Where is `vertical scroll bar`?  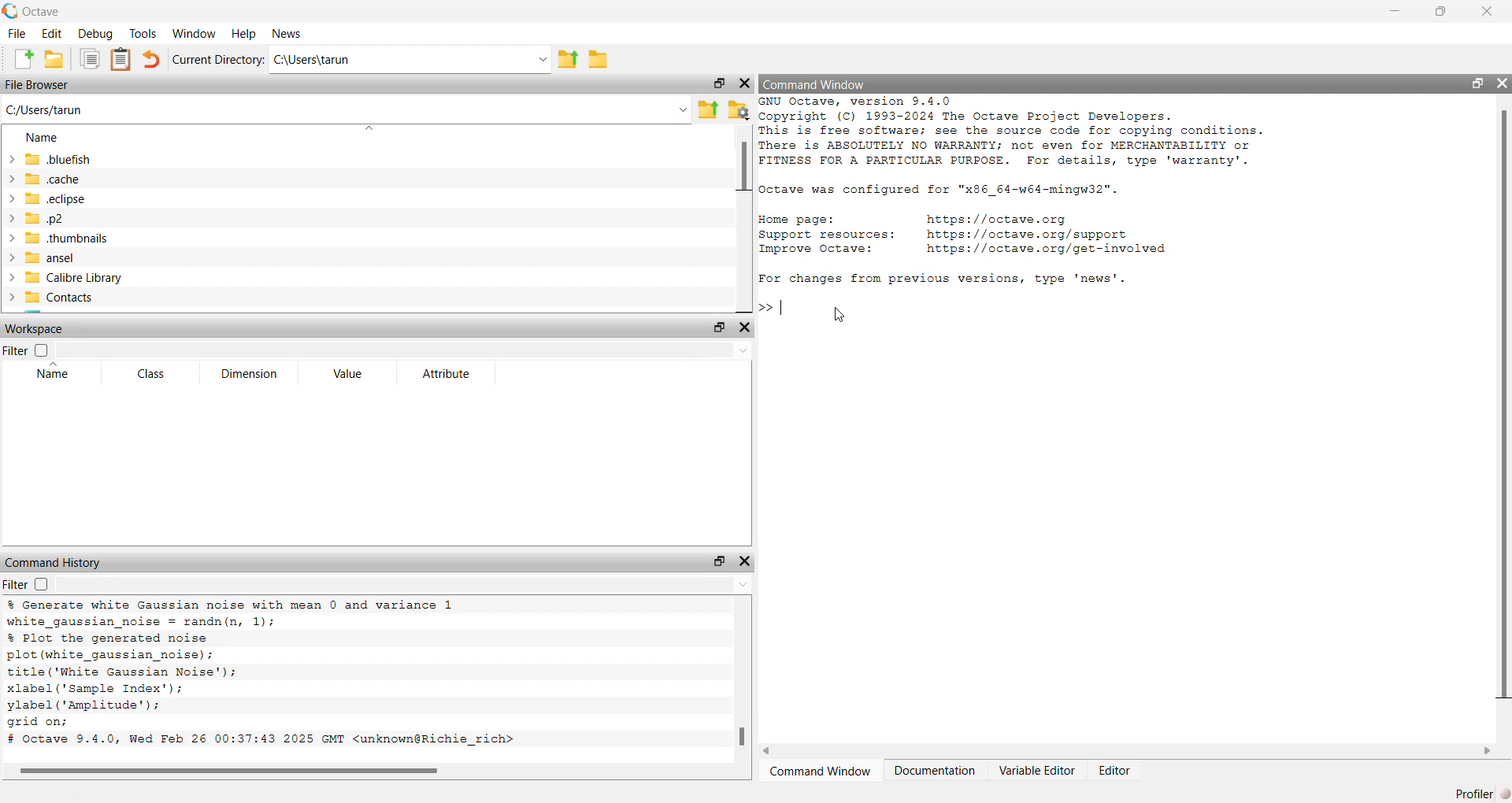
vertical scroll bar is located at coordinates (1503, 405).